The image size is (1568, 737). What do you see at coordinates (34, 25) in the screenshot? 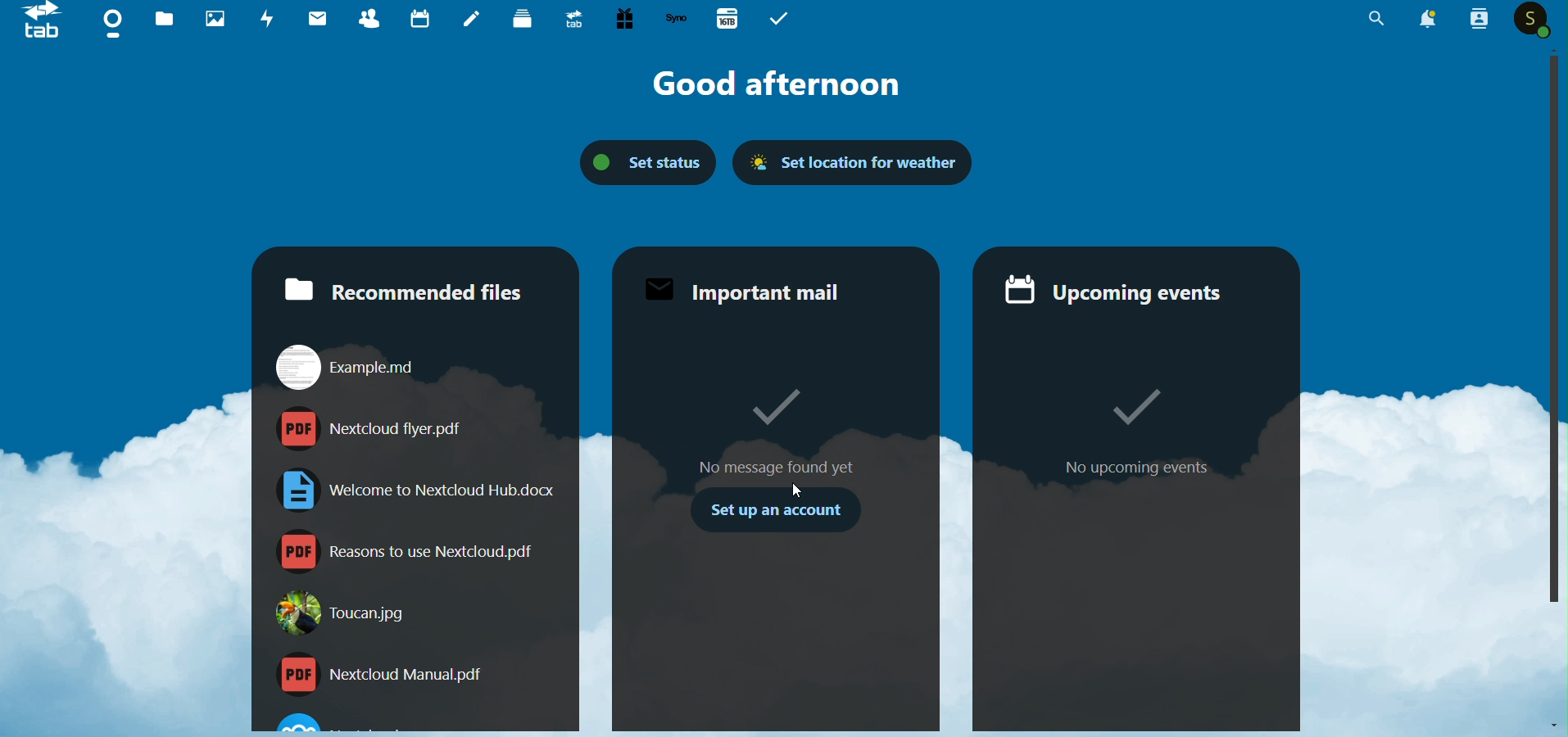
I see `tab Logo` at bounding box center [34, 25].